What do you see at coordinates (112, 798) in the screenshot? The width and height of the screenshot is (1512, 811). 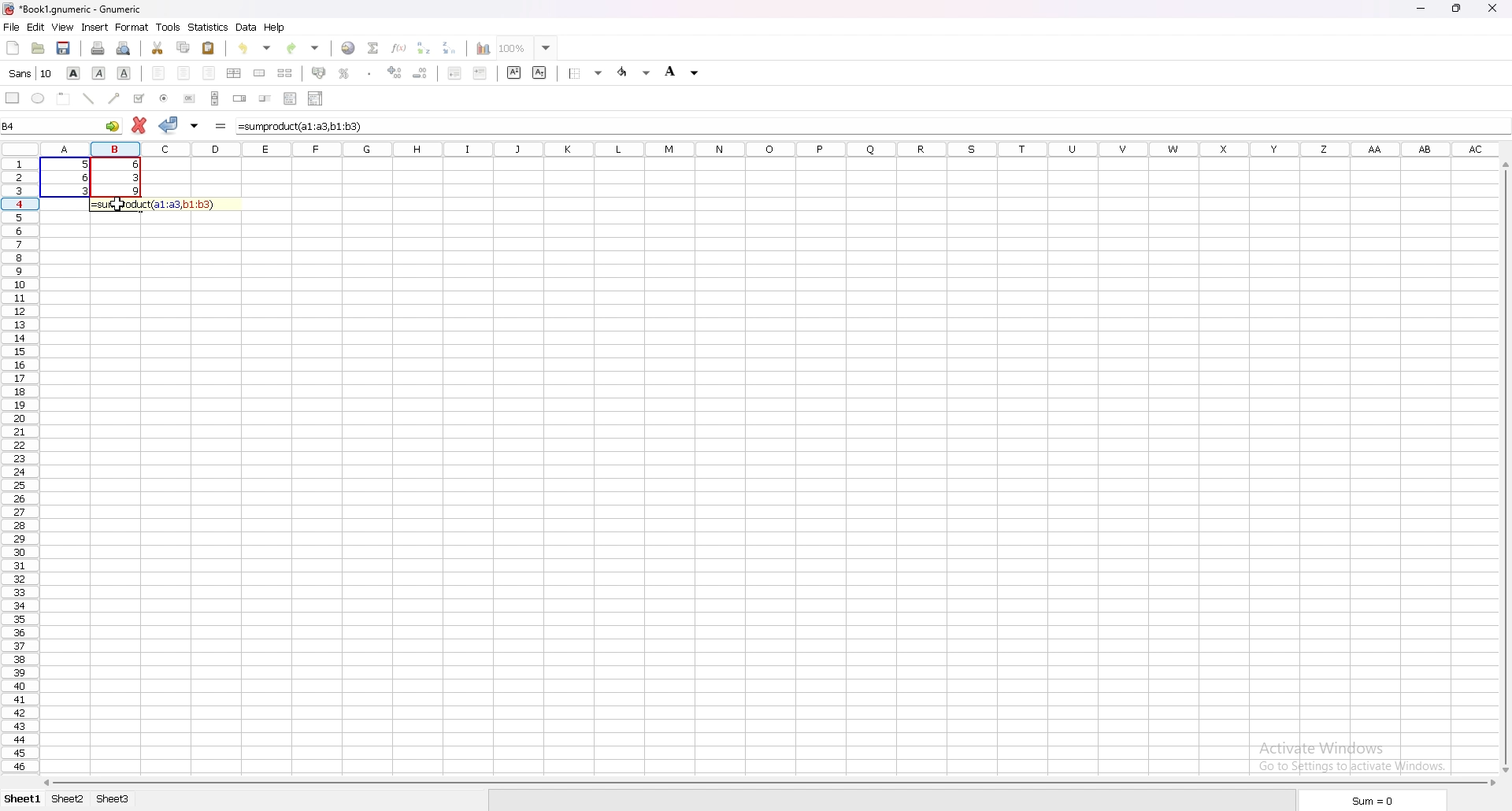 I see `sheet` at bounding box center [112, 798].